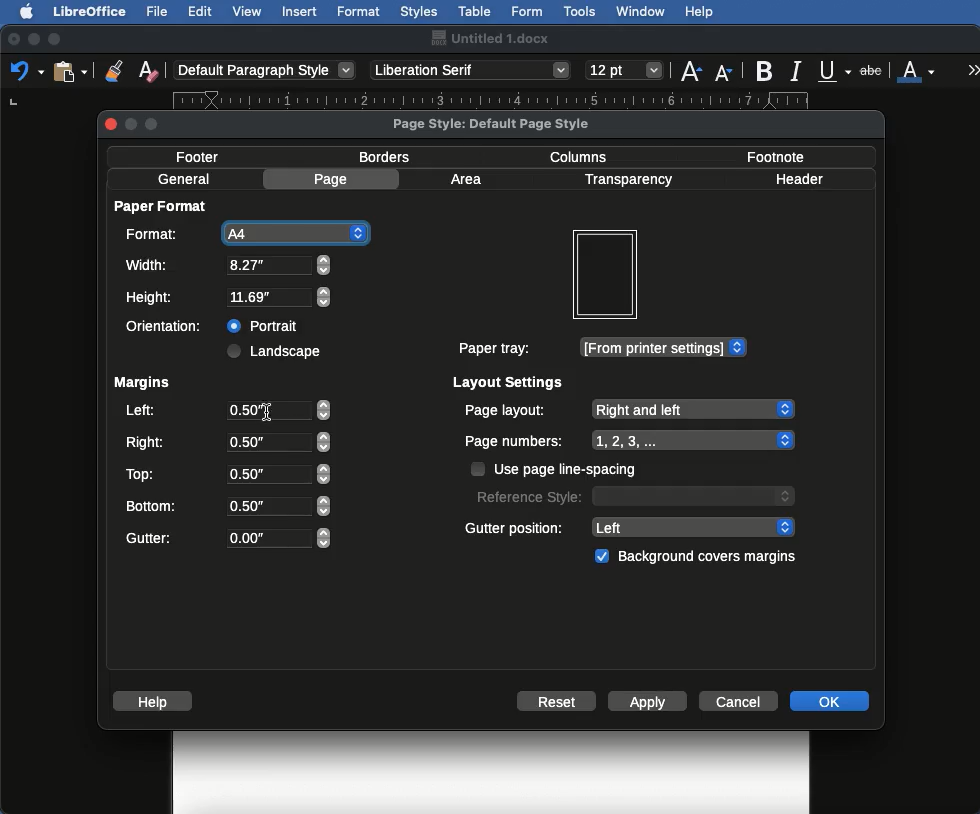 This screenshot has width=980, height=814. Describe the element at coordinates (266, 70) in the screenshot. I see `Paragraph style` at that location.